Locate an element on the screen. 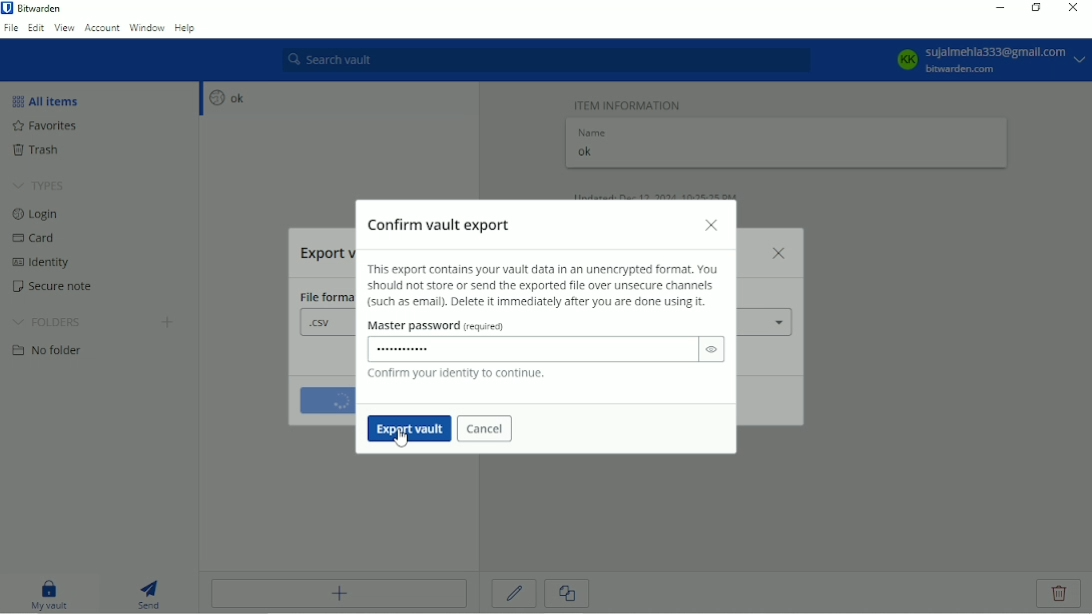  Show/hide is located at coordinates (712, 350).